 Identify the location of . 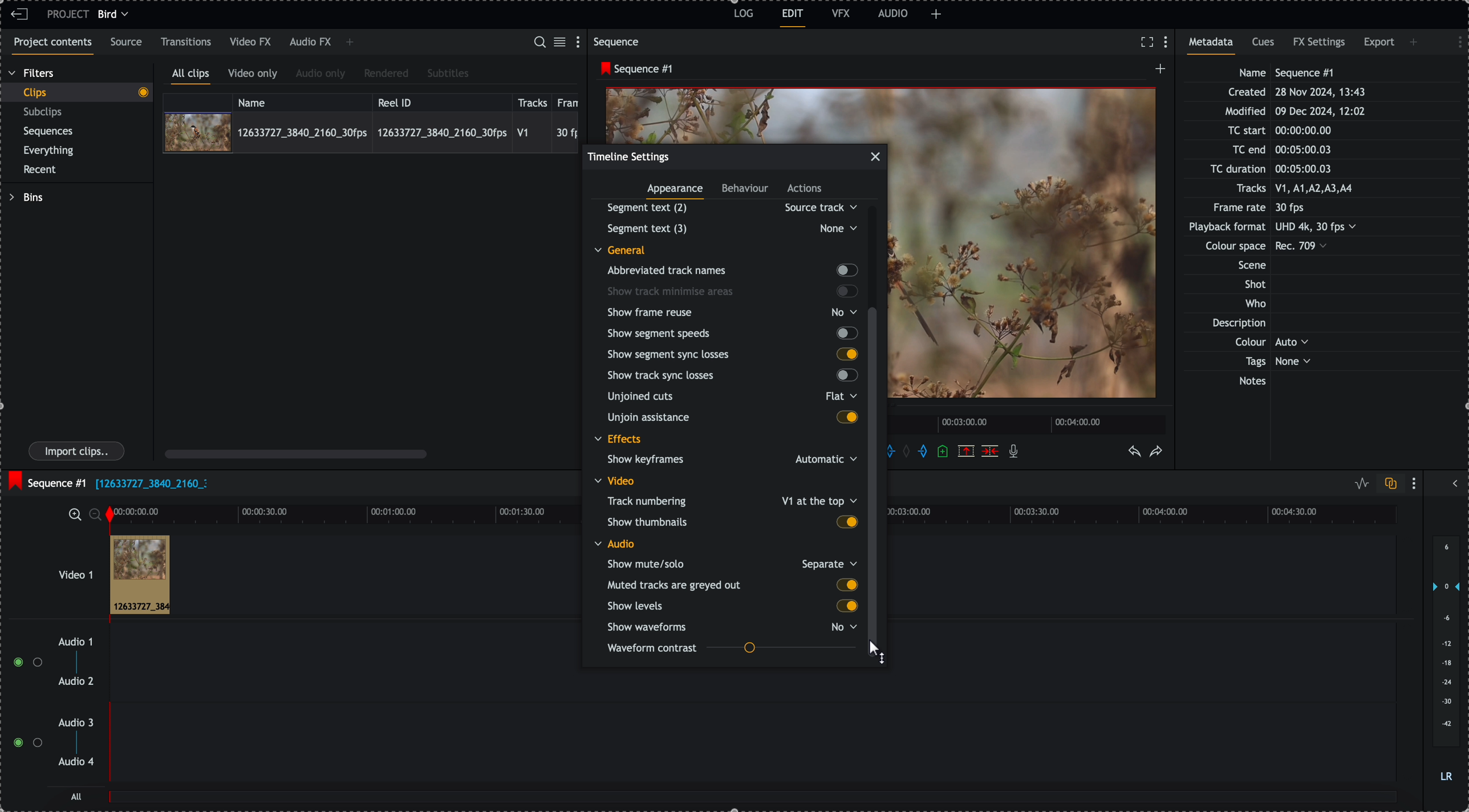
(47, 152).